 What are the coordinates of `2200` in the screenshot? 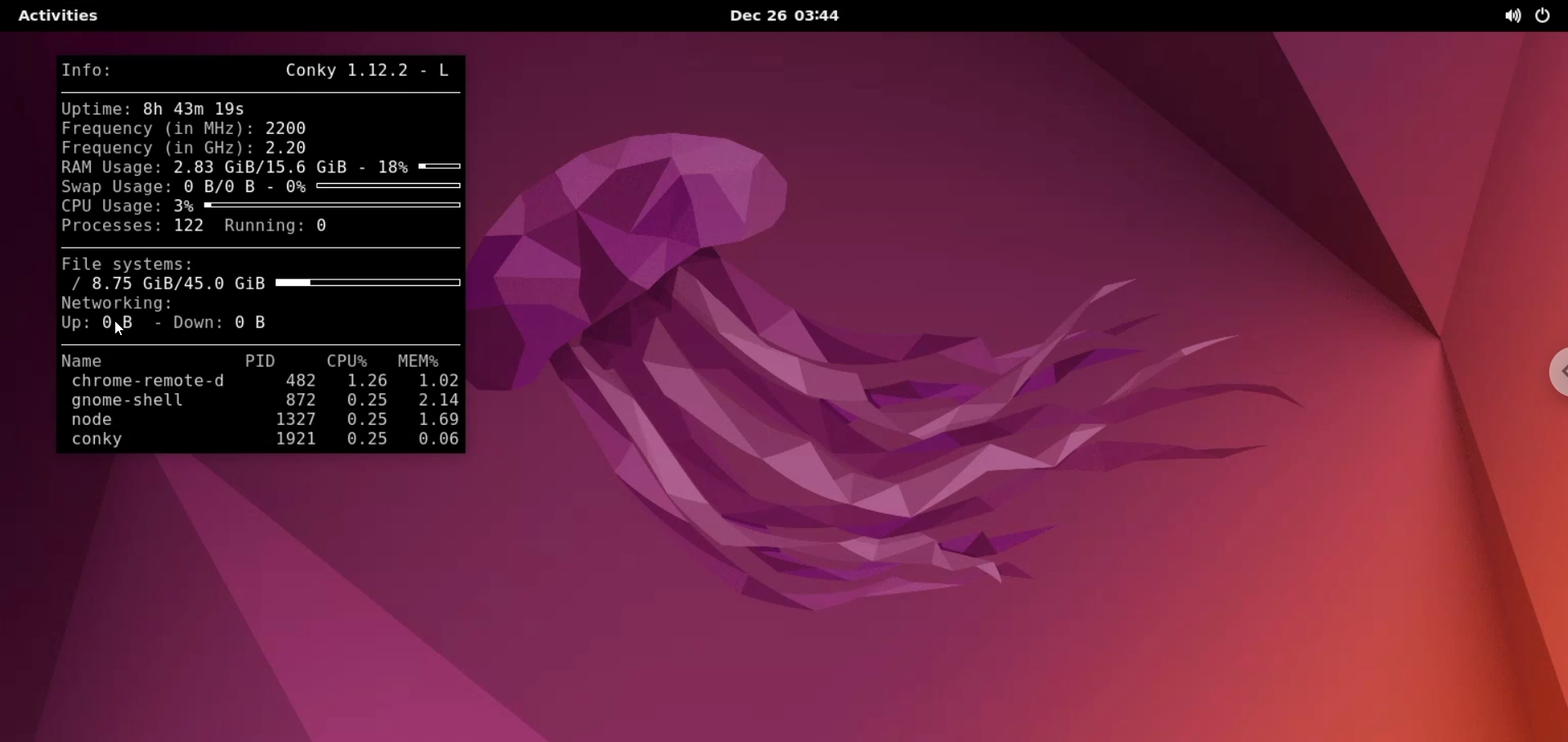 It's located at (285, 129).